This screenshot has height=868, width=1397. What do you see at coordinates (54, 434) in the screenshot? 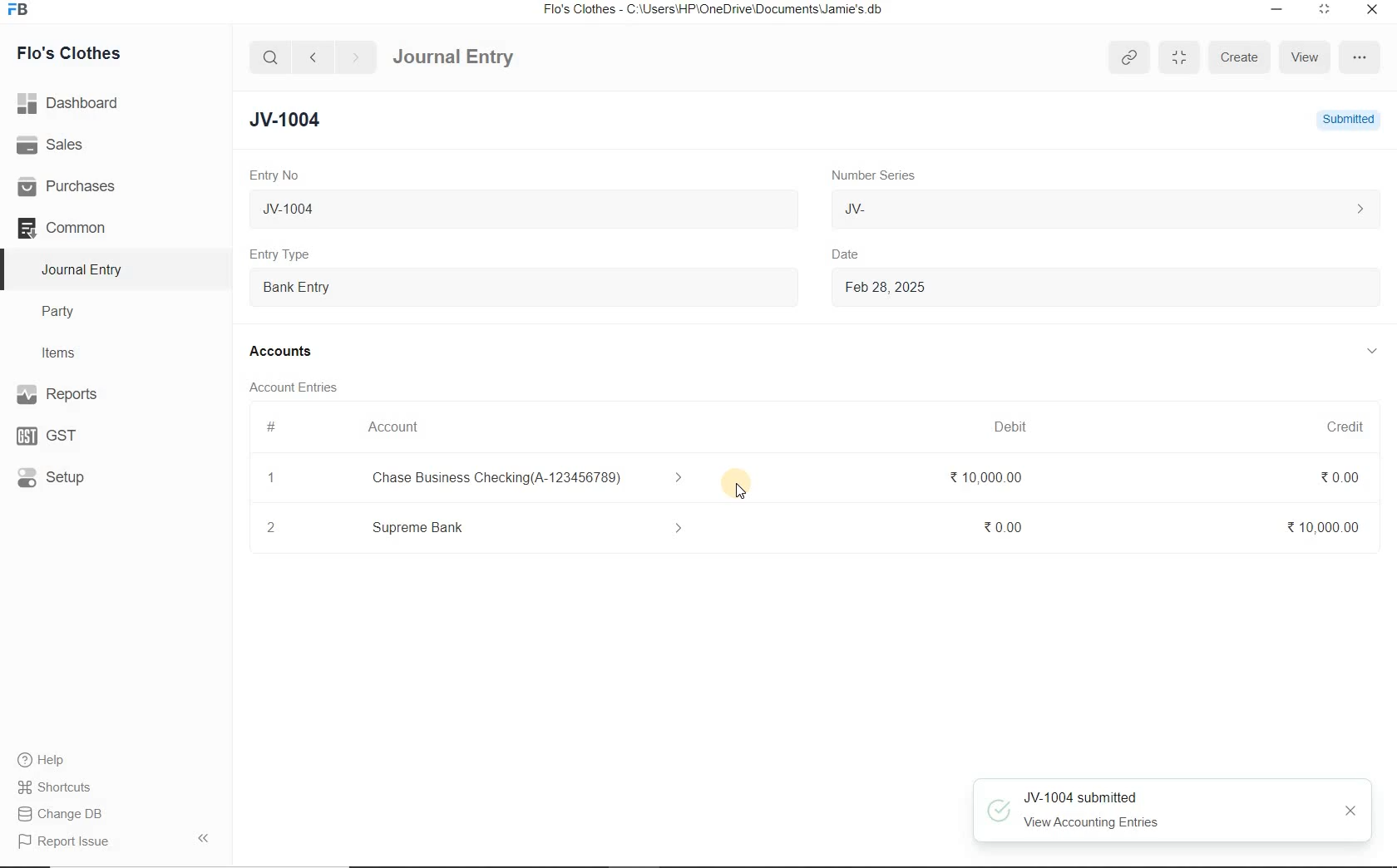
I see `GST` at bounding box center [54, 434].